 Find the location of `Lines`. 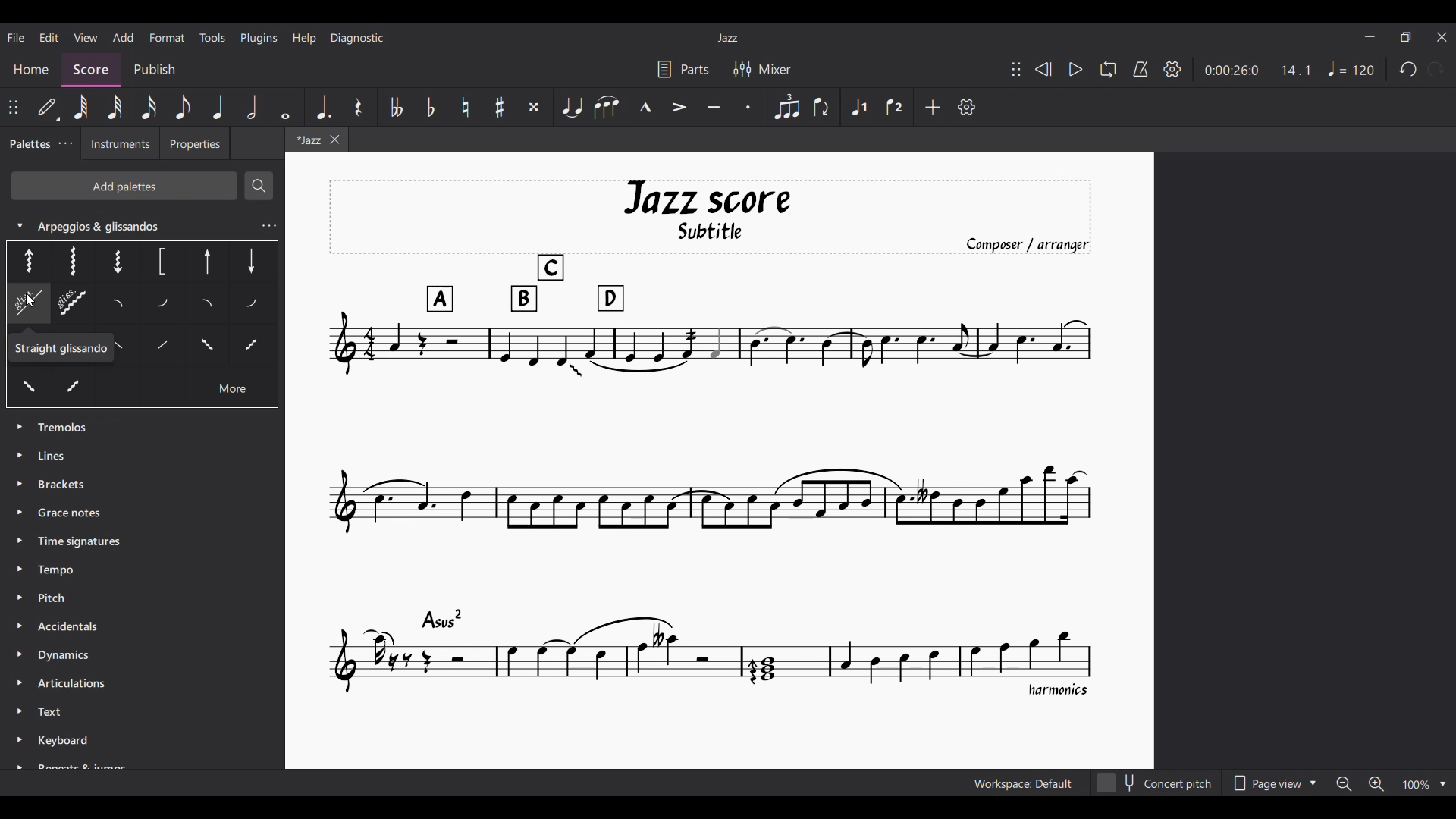

Lines is located at coordinates (65, 454).